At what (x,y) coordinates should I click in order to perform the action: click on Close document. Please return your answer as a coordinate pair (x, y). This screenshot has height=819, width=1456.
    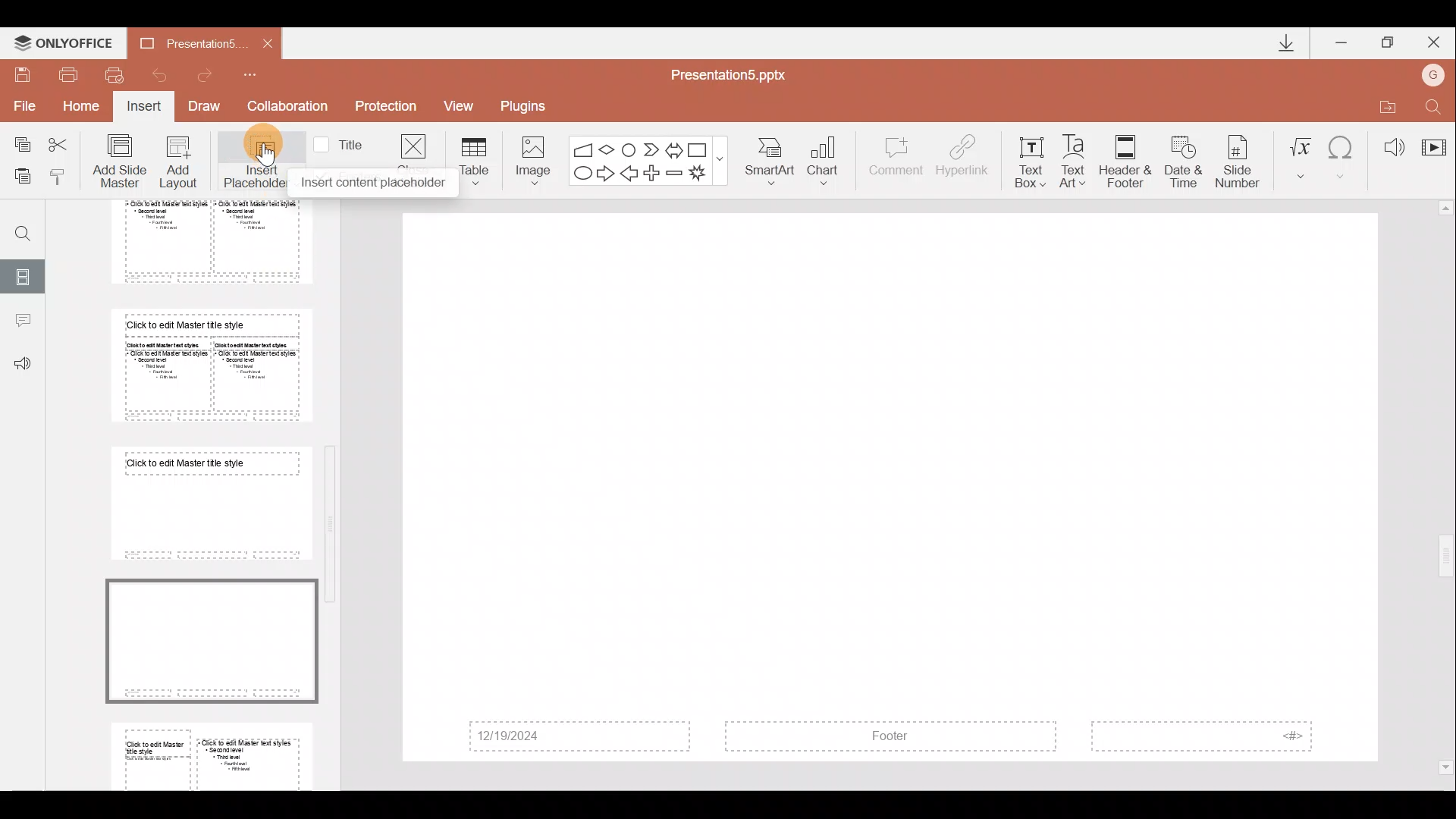
    Looking at the image, I should click on (263, 42).